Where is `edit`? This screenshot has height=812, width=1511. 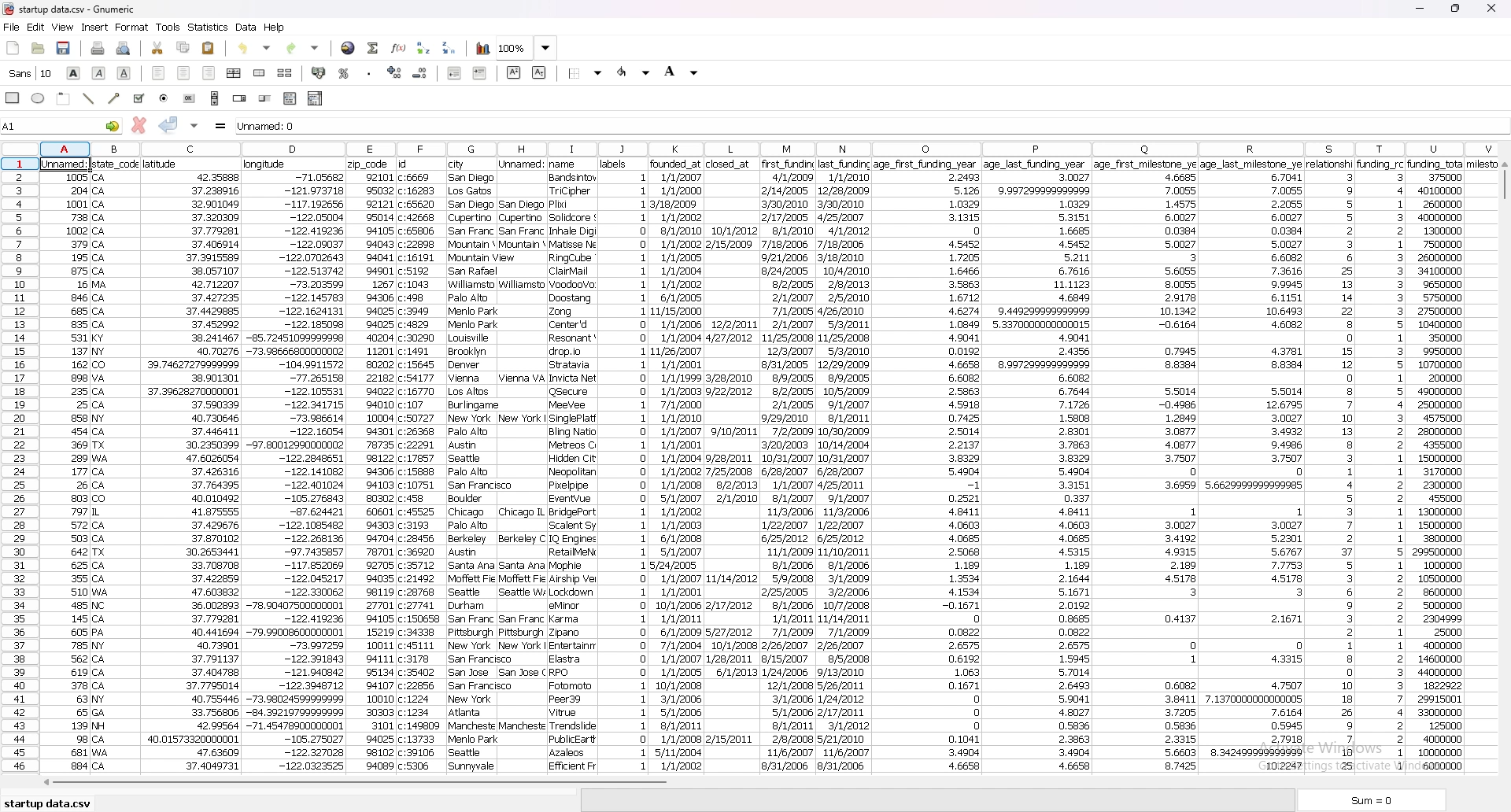
edit is located at coordinates (35, 27).